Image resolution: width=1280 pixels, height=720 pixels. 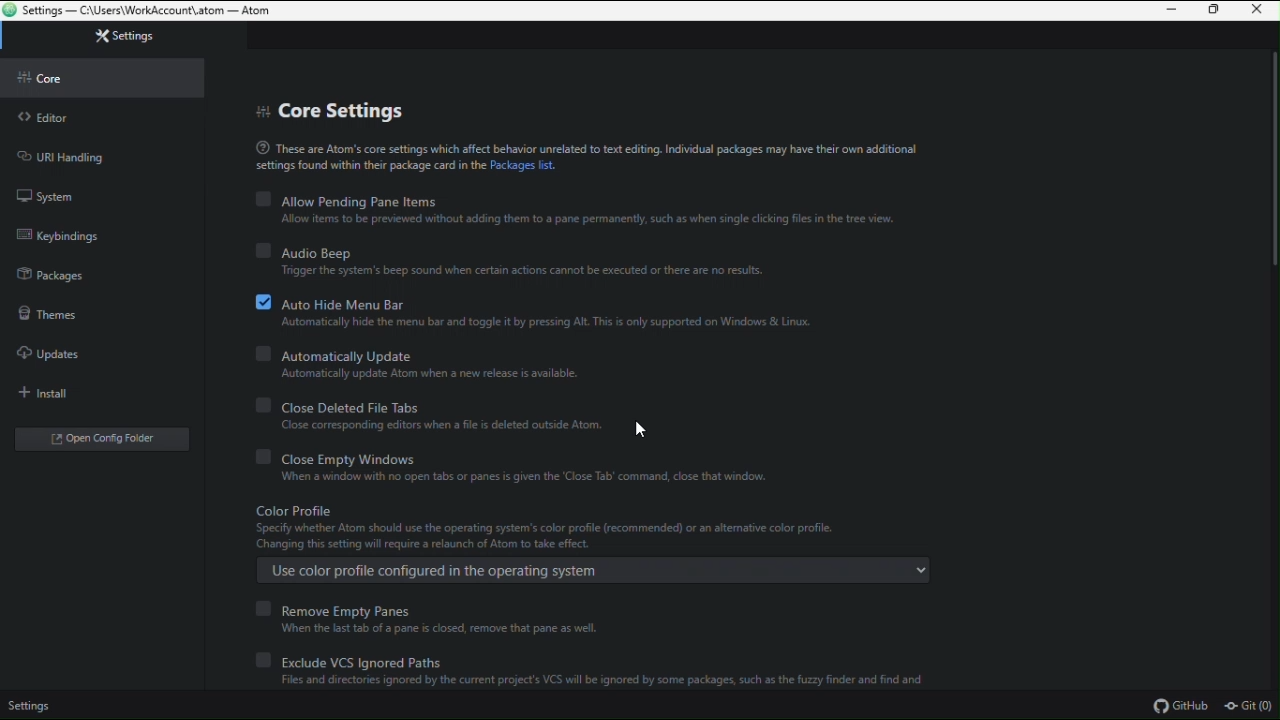 I want to click on ‘Trigger the system's beep sound when certain actions cannot be executed or there are no results., so click(x=532, y=271).